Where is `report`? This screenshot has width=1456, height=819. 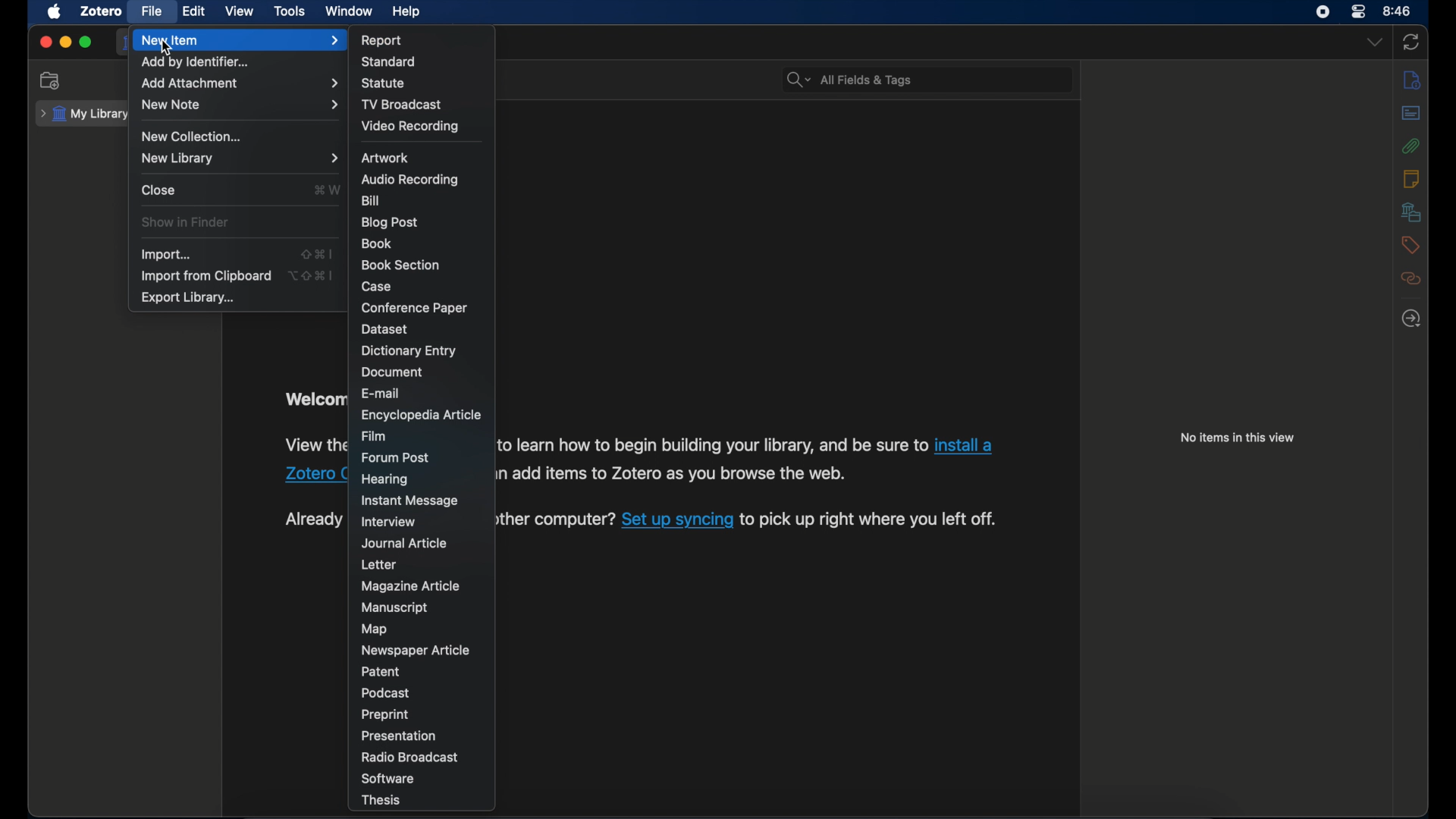 report is located at coordinates (382, 40).